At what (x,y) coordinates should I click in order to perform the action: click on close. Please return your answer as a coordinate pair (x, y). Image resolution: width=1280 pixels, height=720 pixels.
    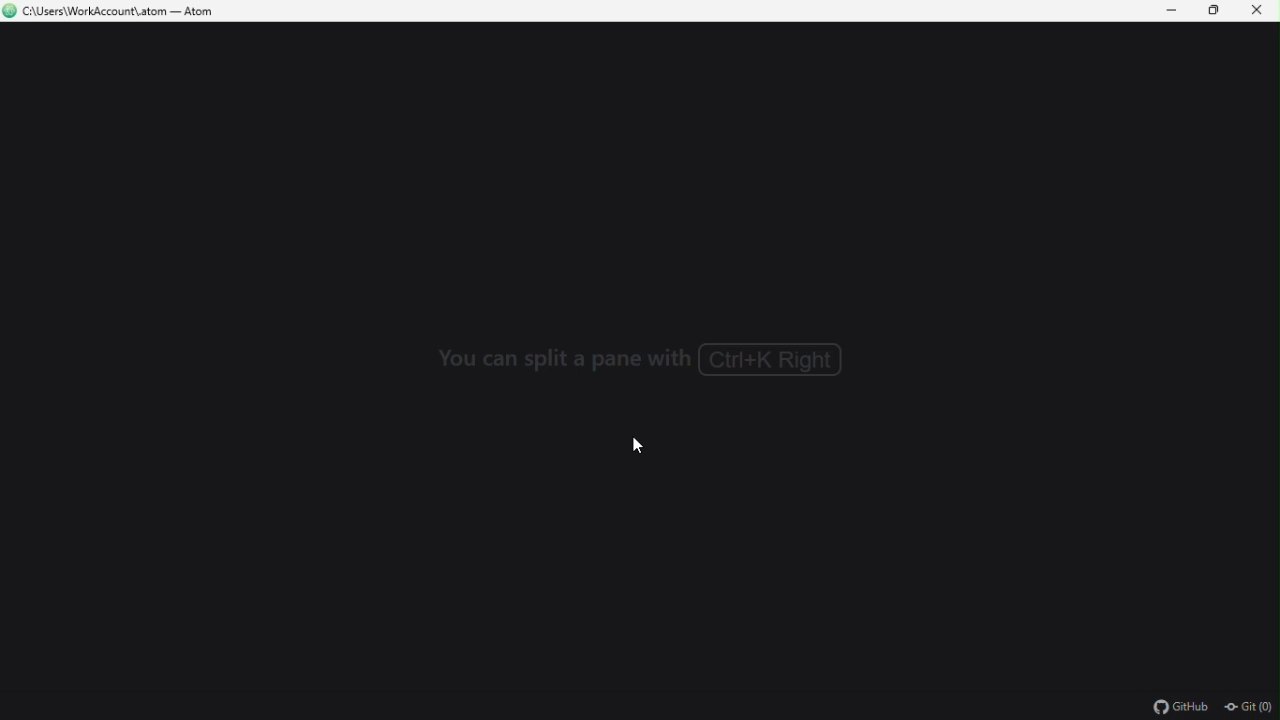
    Looking at the image, I should click on (1259, 11).